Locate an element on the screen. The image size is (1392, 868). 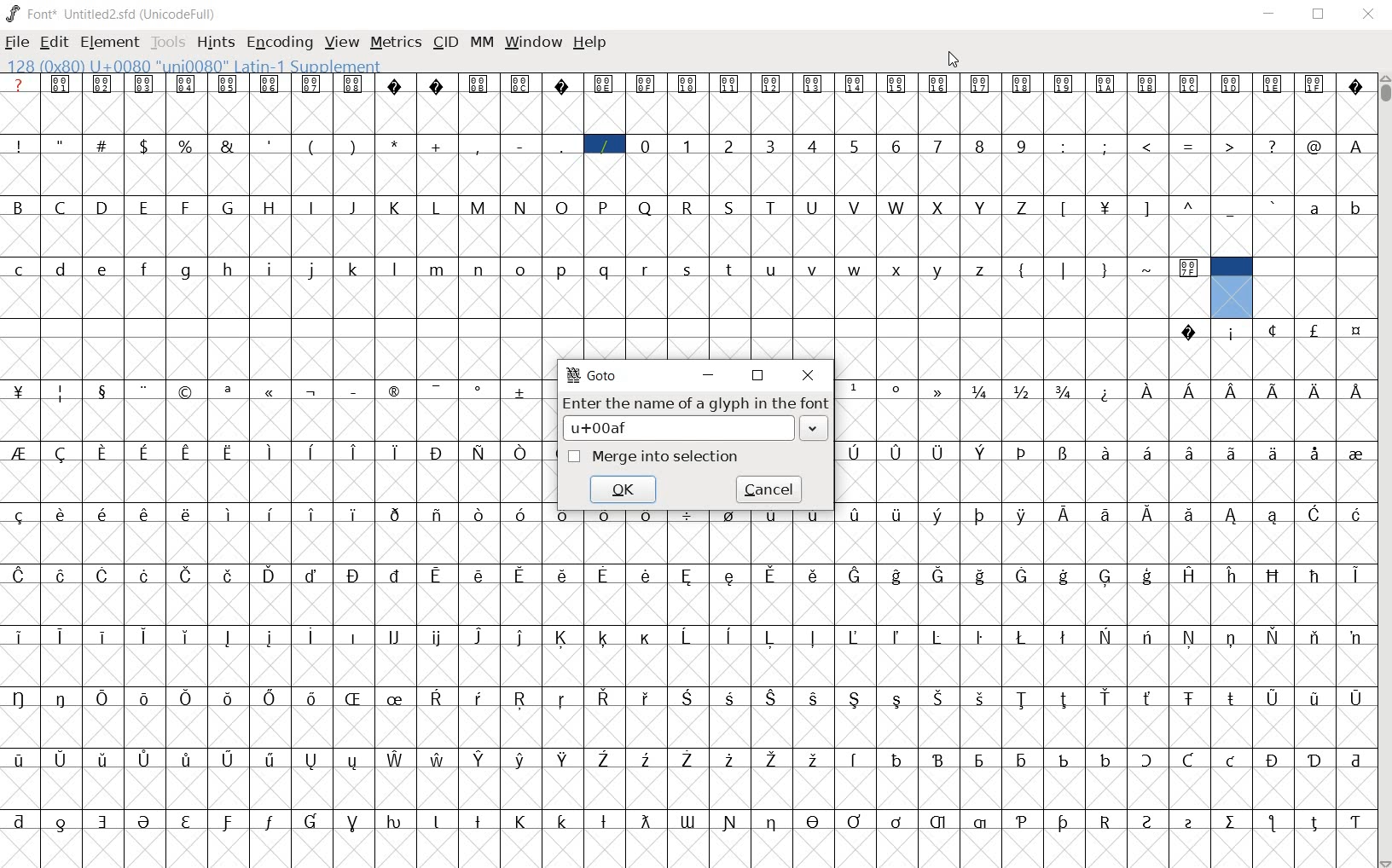
Symbol is located at coordinates (1066, 822).